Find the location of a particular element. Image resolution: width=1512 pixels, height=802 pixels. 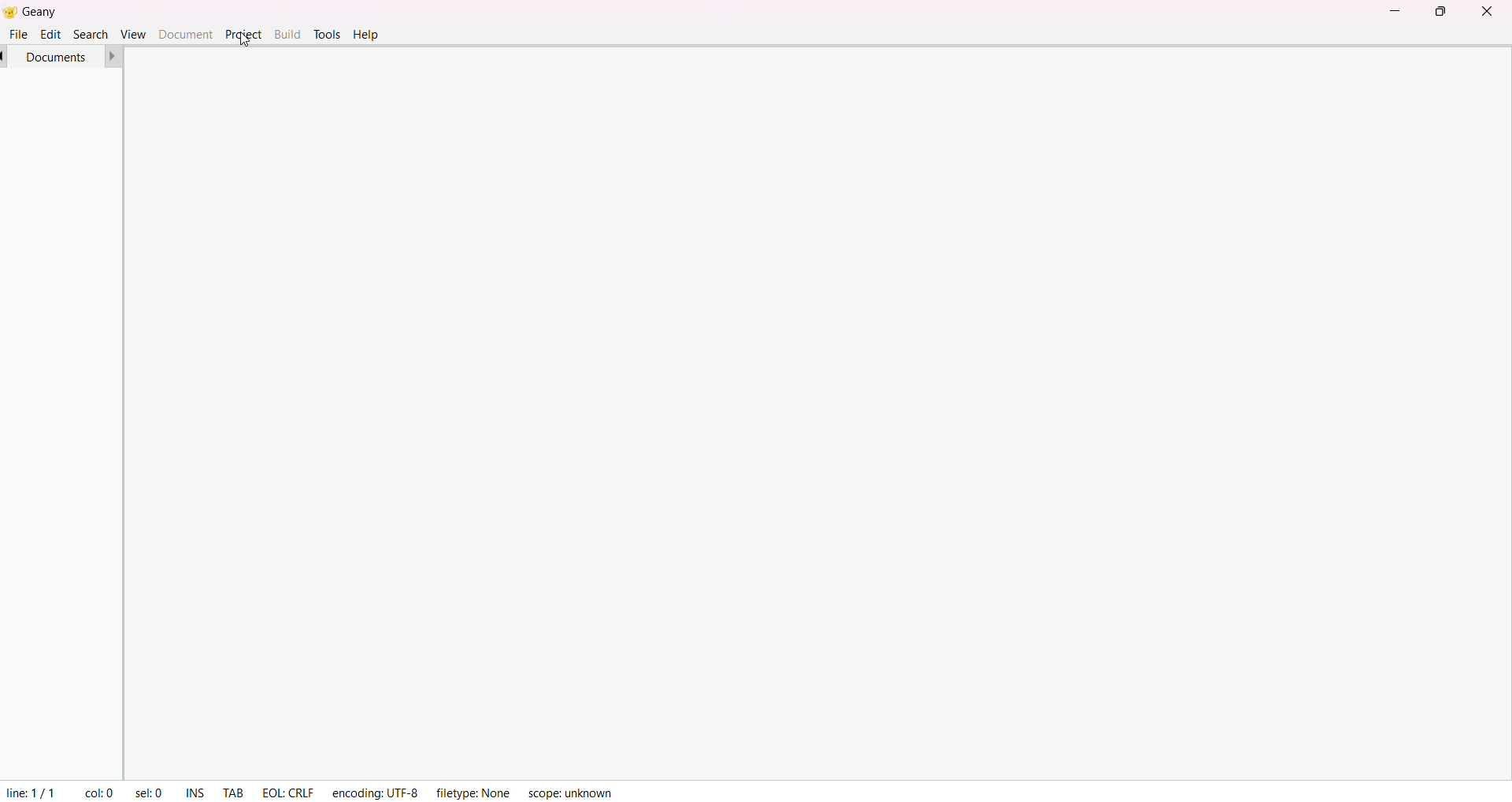

col: 0 is located at coordinates (99, 793).